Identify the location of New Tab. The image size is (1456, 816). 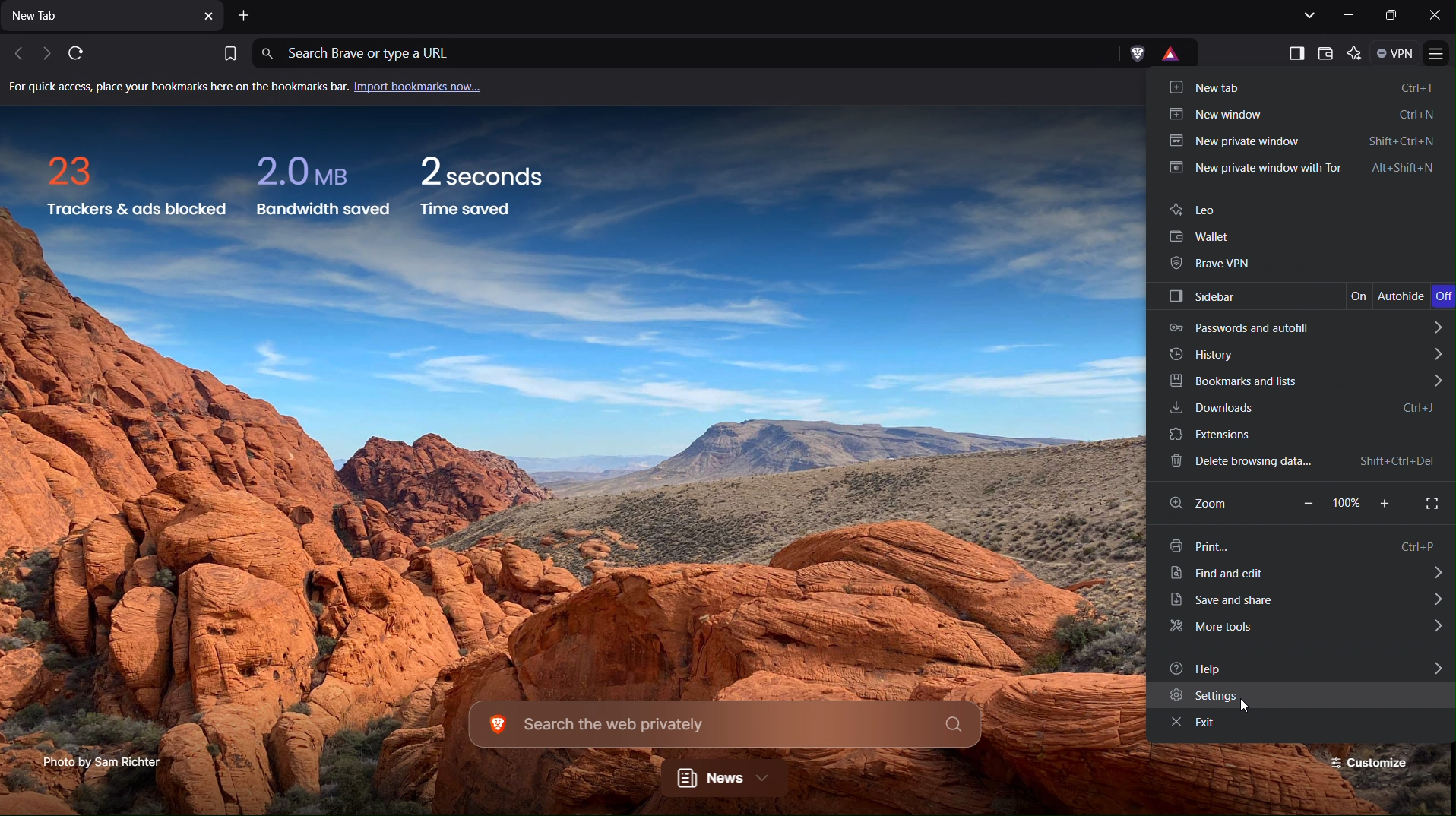
(112, 15).